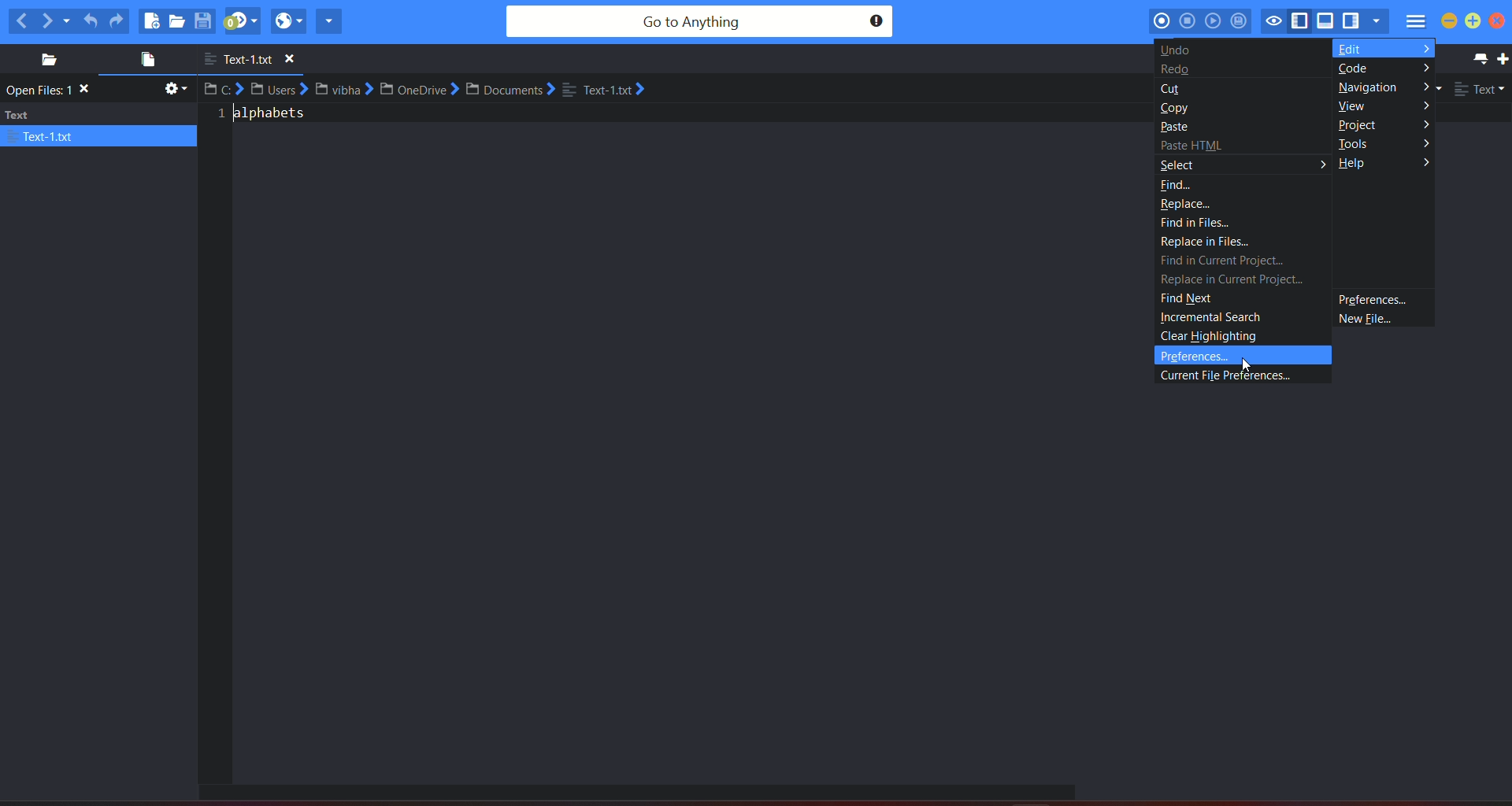  What do you see at coordinates (1473, 21) in the screenshot?
I see `maximize` at bounding box center [1473, 21].